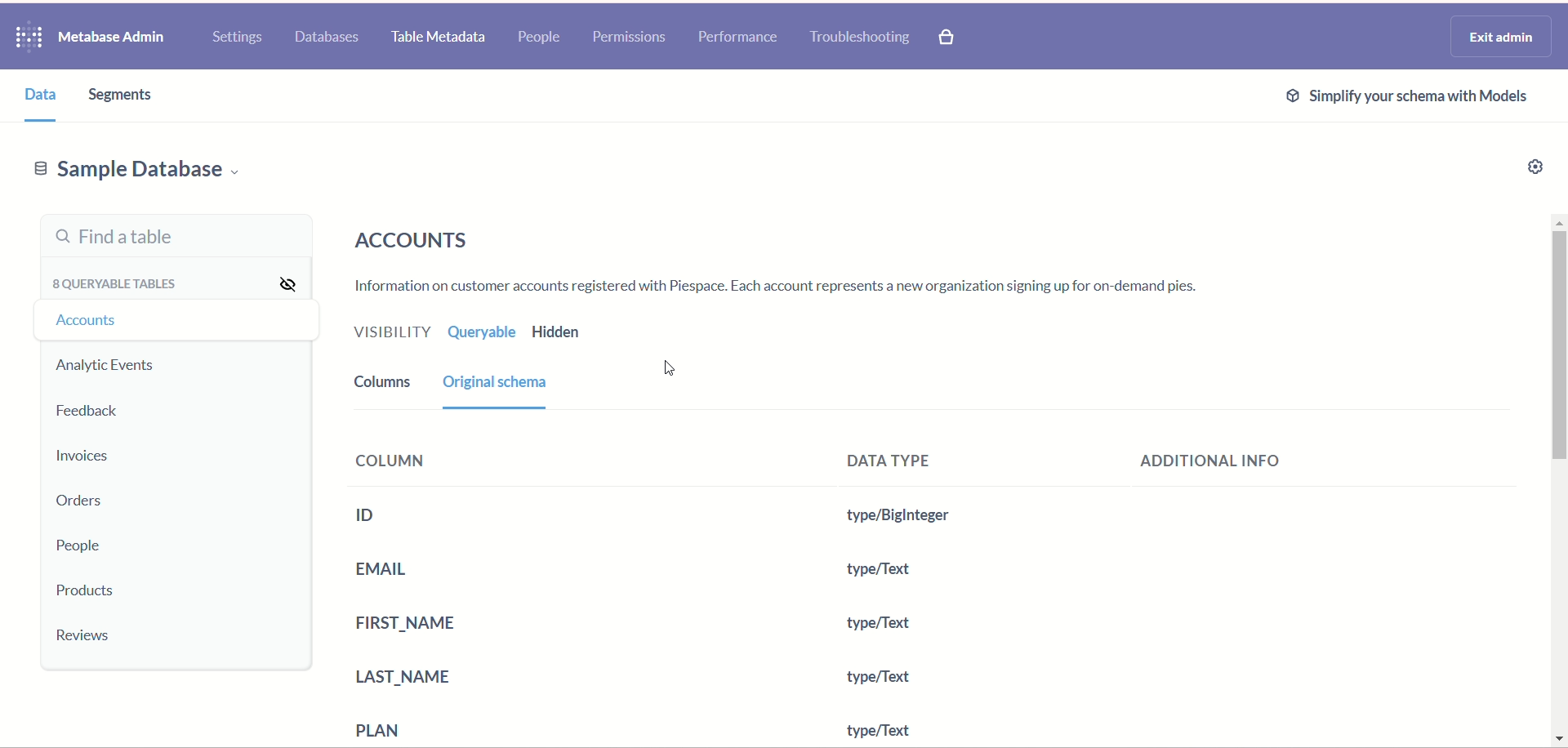 This screenshot has width=1568, height=748. Describe the element at coordinates (79, 545) in the screenshot. I see `people` at that location.